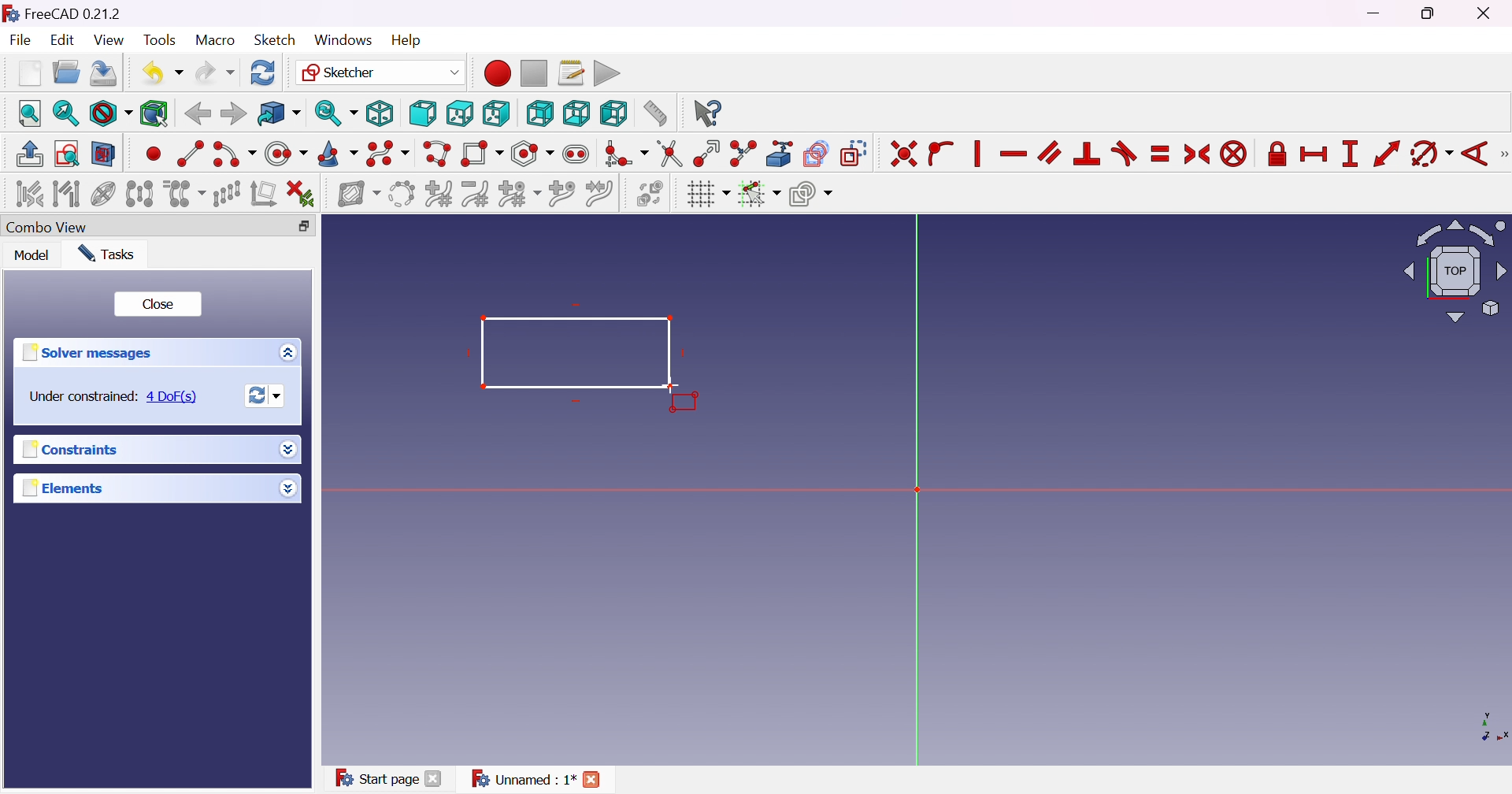 This screenshot has height=794, width=1512. Describe the element at coordinates (780, 154) in the screenshot. I see `Create external geometry` at that location.